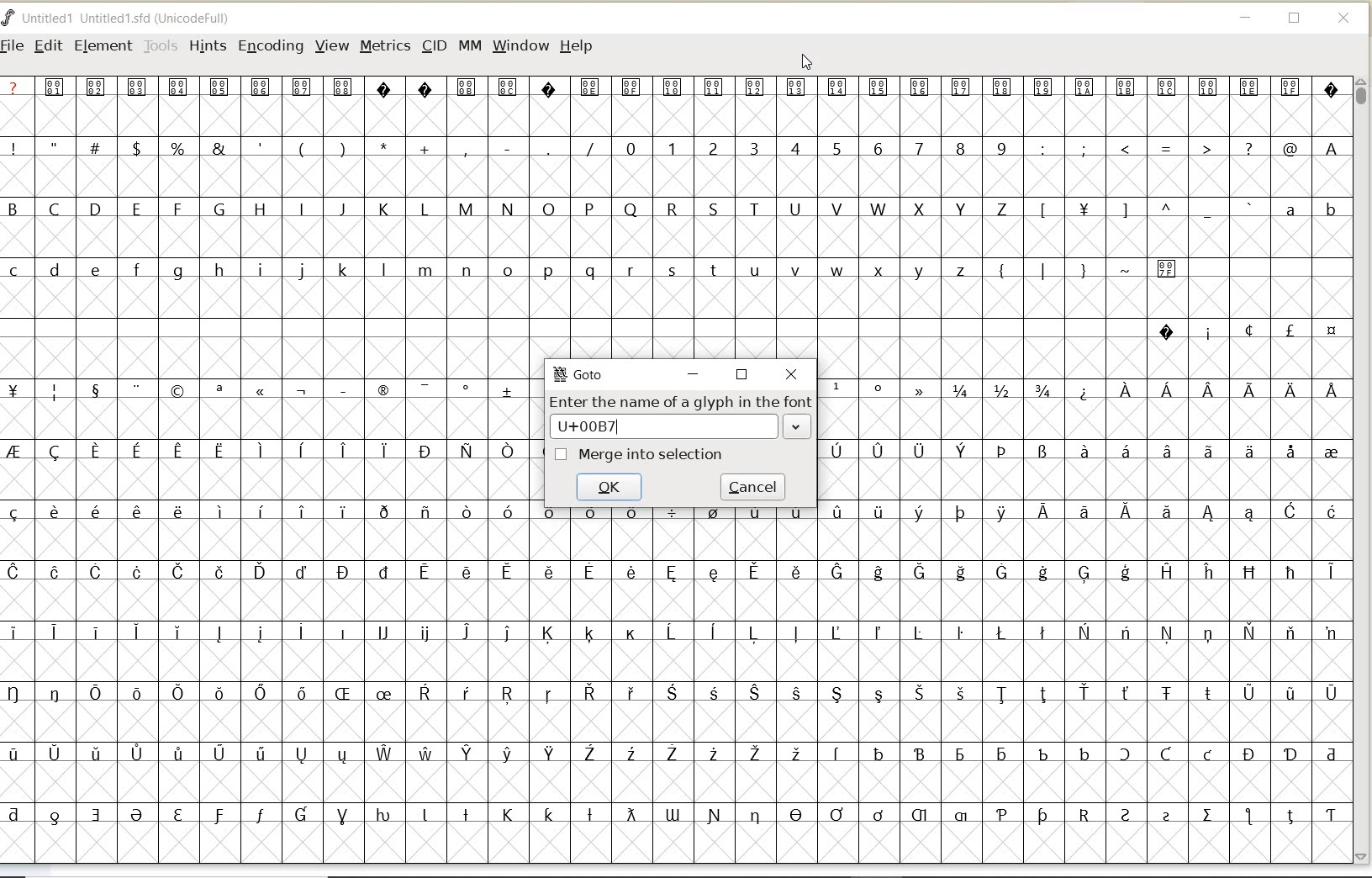 Image resolution: width=1372 pixels, height=878 pixels. I want to click on WINDOW, so click(520, 45).